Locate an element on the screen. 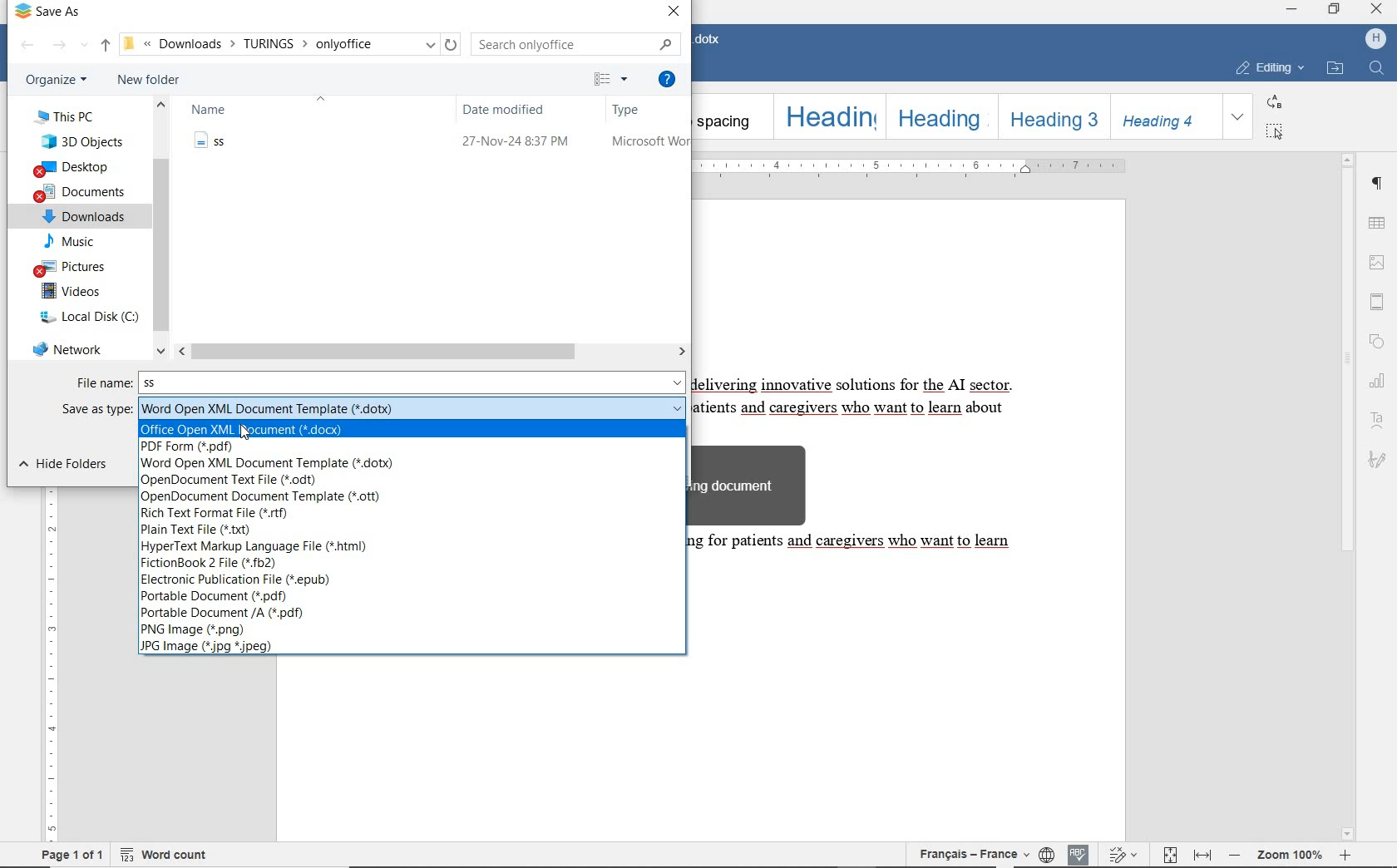 The height and width of the screenshot is (868, 1397). SAVE AS is located at coordinates (63, 12).